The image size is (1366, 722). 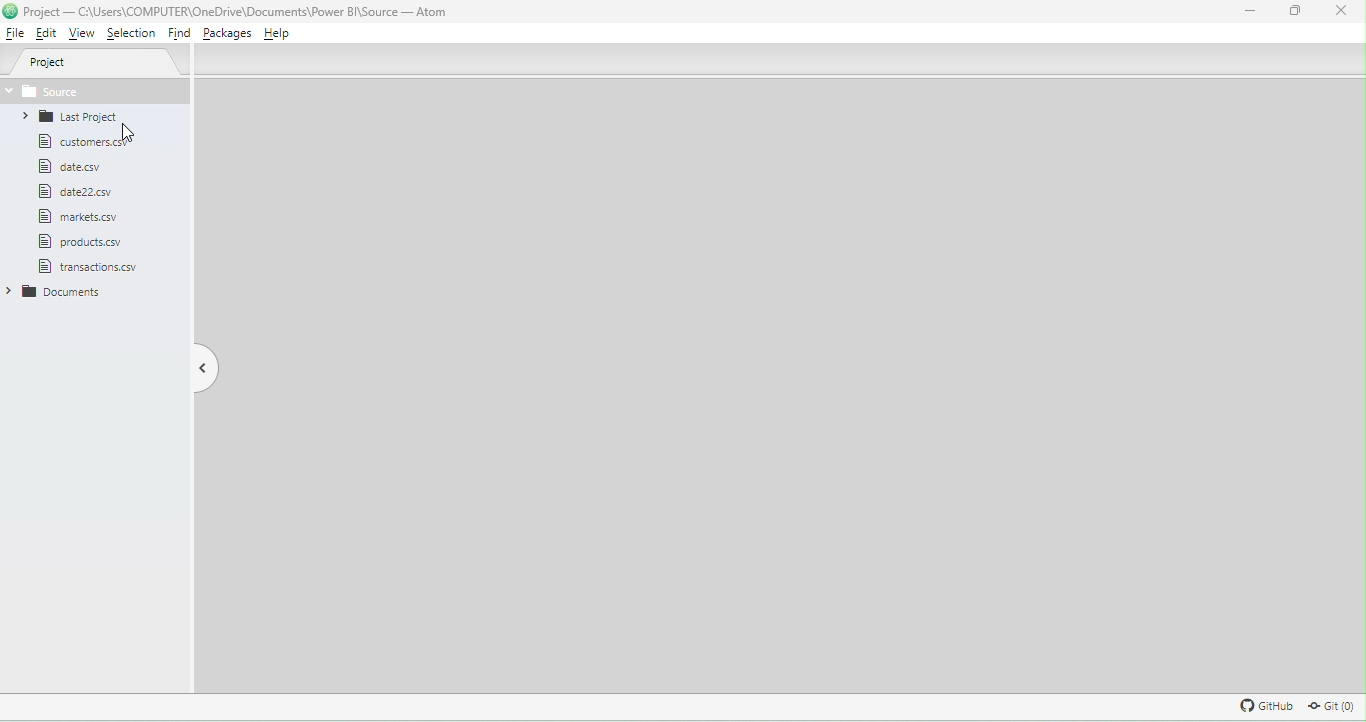 What do you see at coordinates (228, 34) in the screenshot?
I see `Packages` at bounding box center [228, 34].